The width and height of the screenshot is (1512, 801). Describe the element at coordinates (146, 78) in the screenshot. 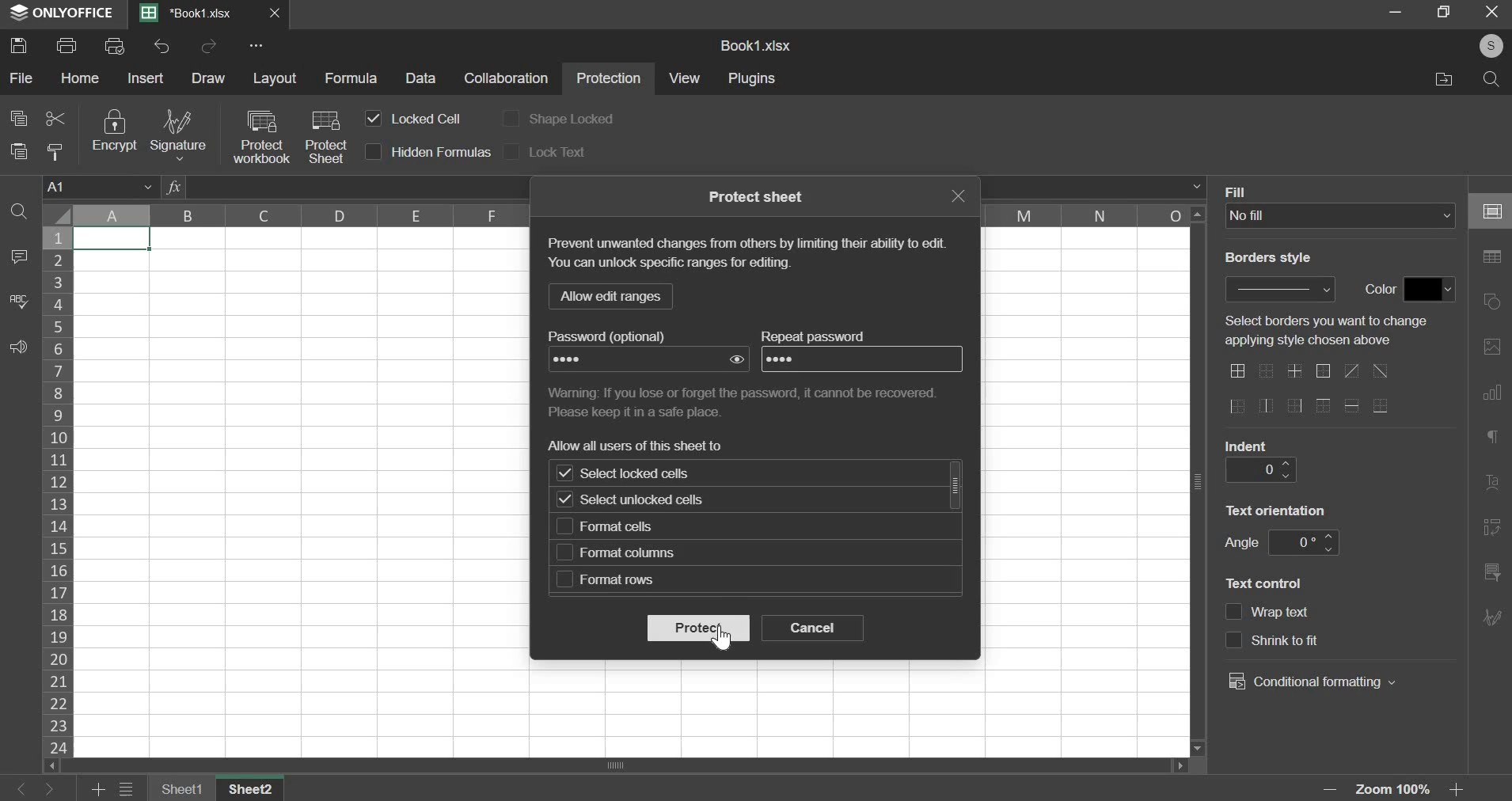

I see `insert` at that location.